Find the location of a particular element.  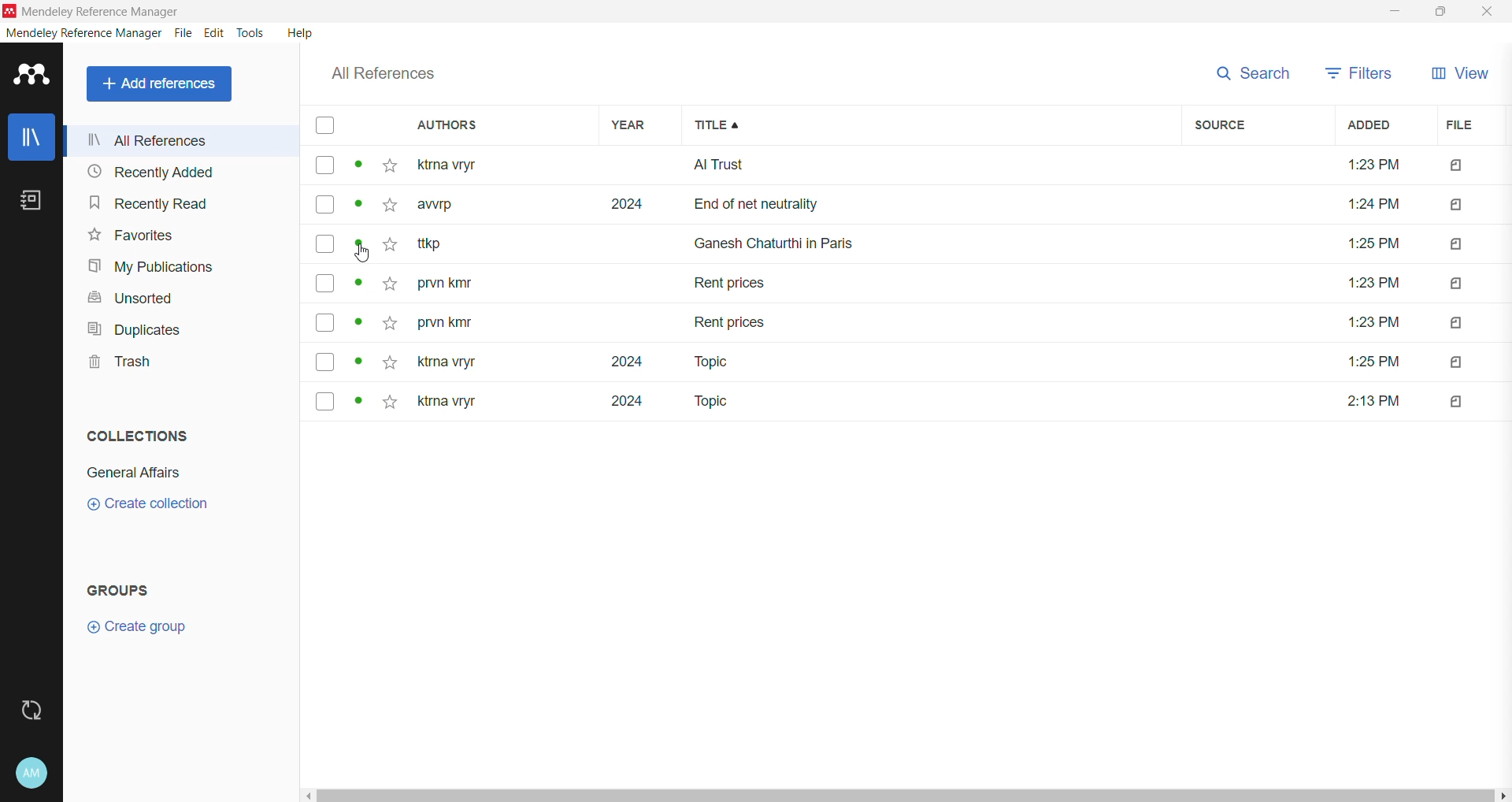

View is located at coordinates (1460, 75).